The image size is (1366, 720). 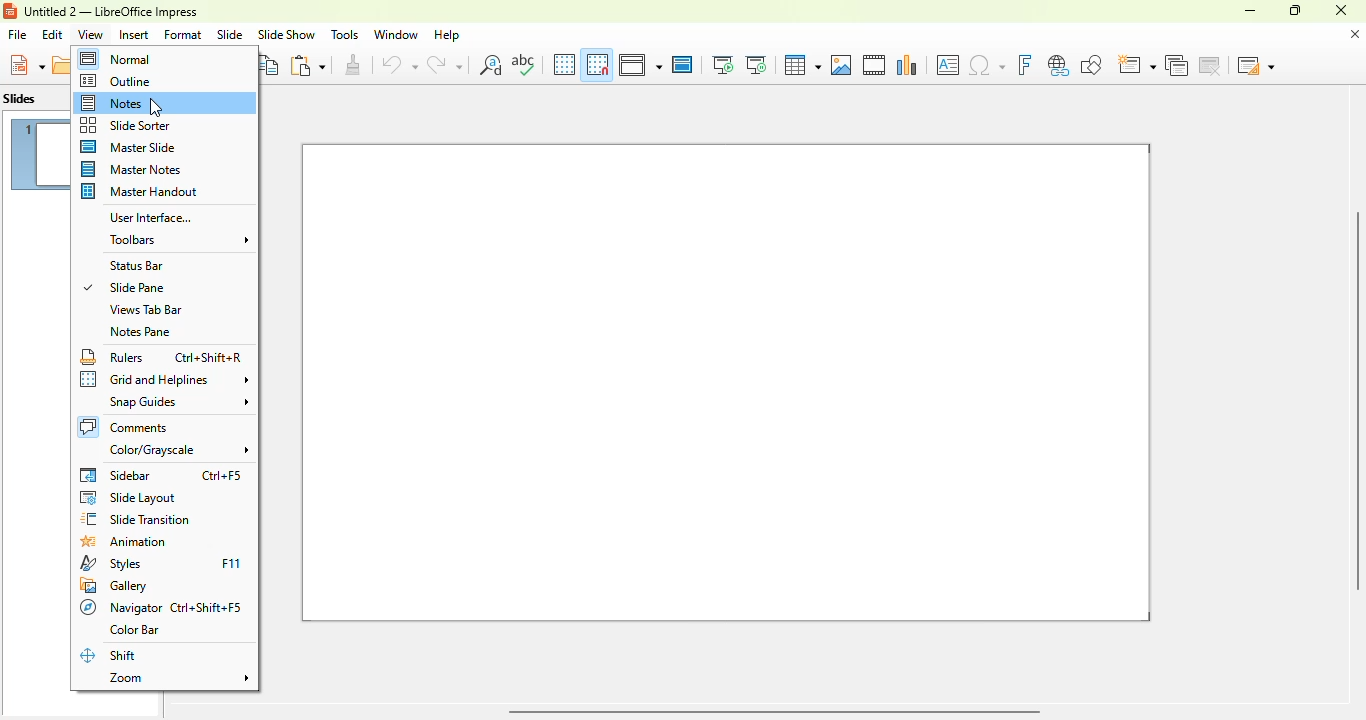 What do you see at coordinates (447, 35) in the screenshot?
I see `help` at bounding box center [447, 35].